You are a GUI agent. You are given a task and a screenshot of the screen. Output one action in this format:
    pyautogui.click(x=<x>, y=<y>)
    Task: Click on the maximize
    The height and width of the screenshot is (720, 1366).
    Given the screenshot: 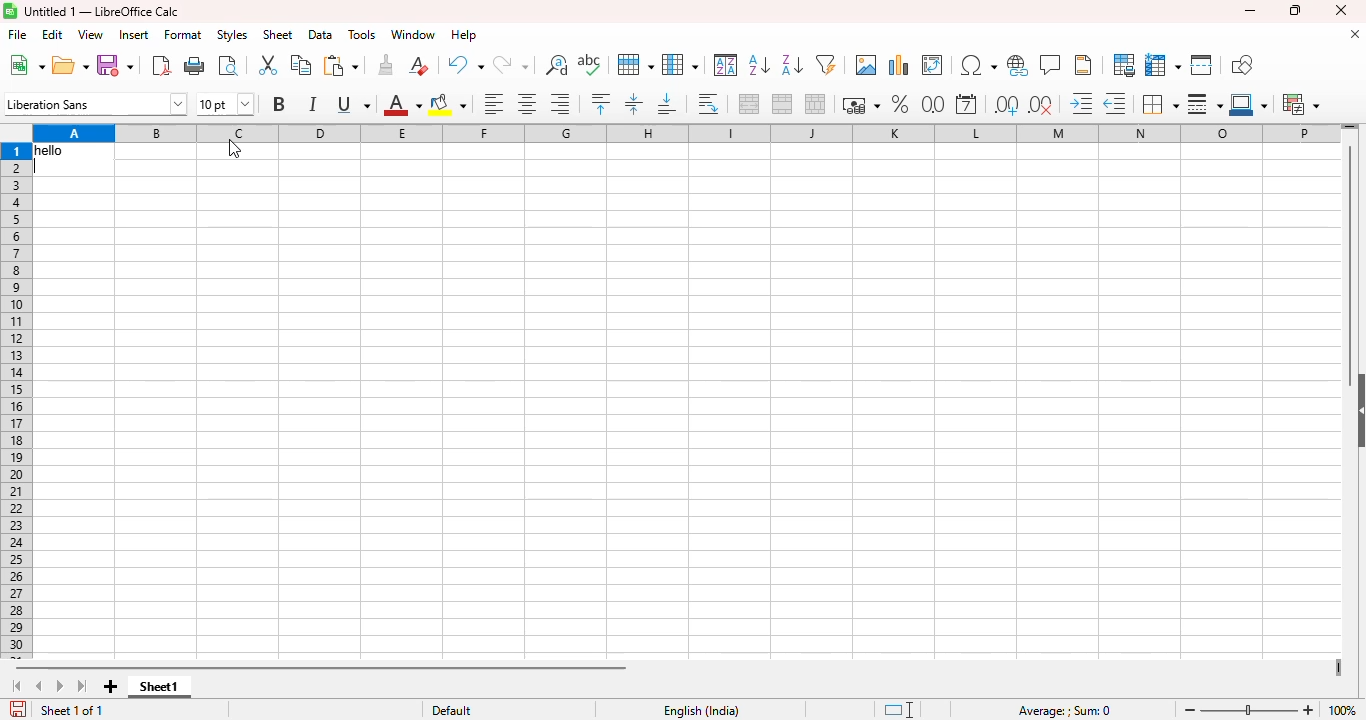 What is the action you would take?
    pyautogui.click(x=1293, y=11)
    